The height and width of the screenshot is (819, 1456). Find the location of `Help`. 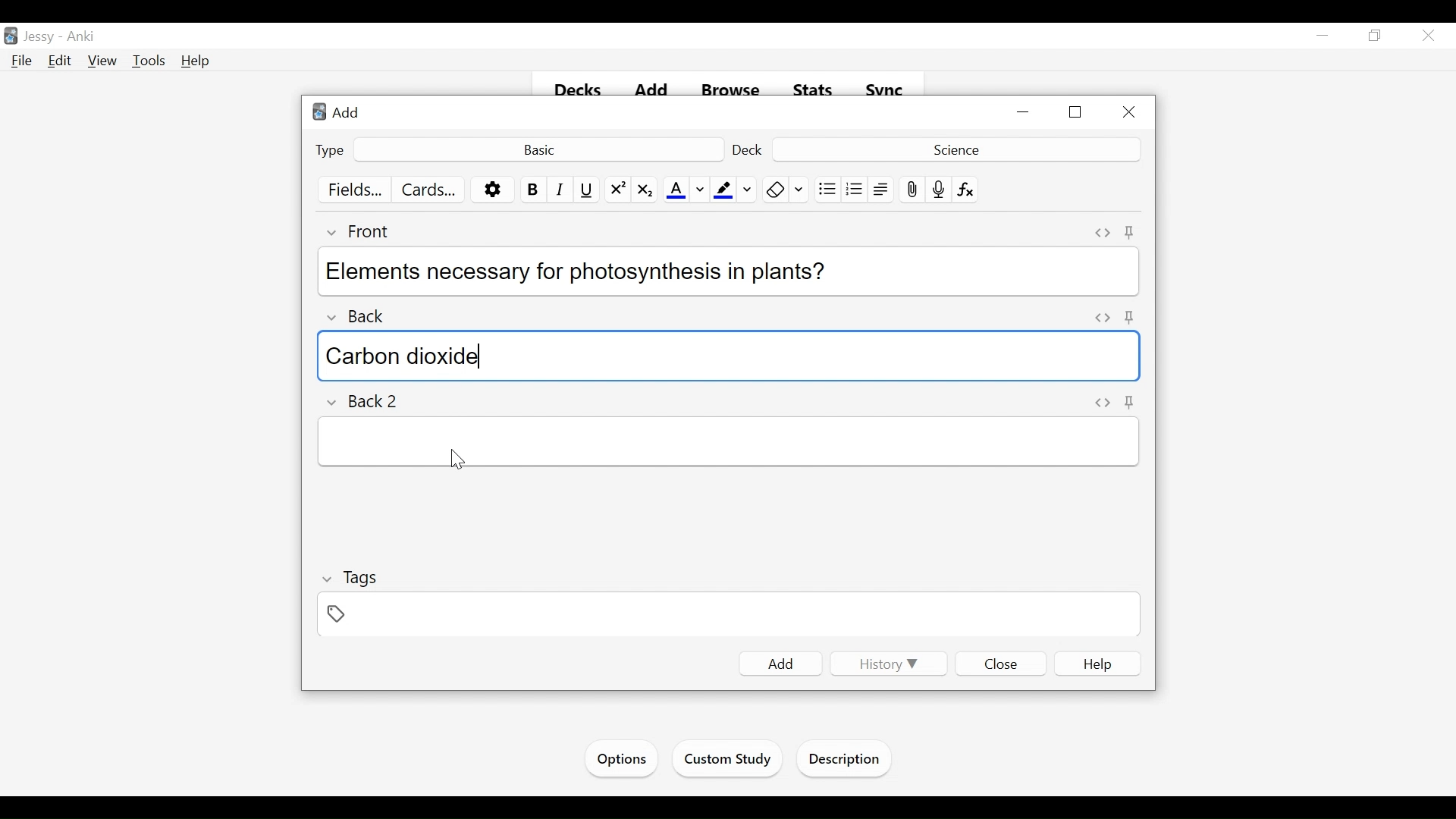

Help is located at coordinates (196, 61).